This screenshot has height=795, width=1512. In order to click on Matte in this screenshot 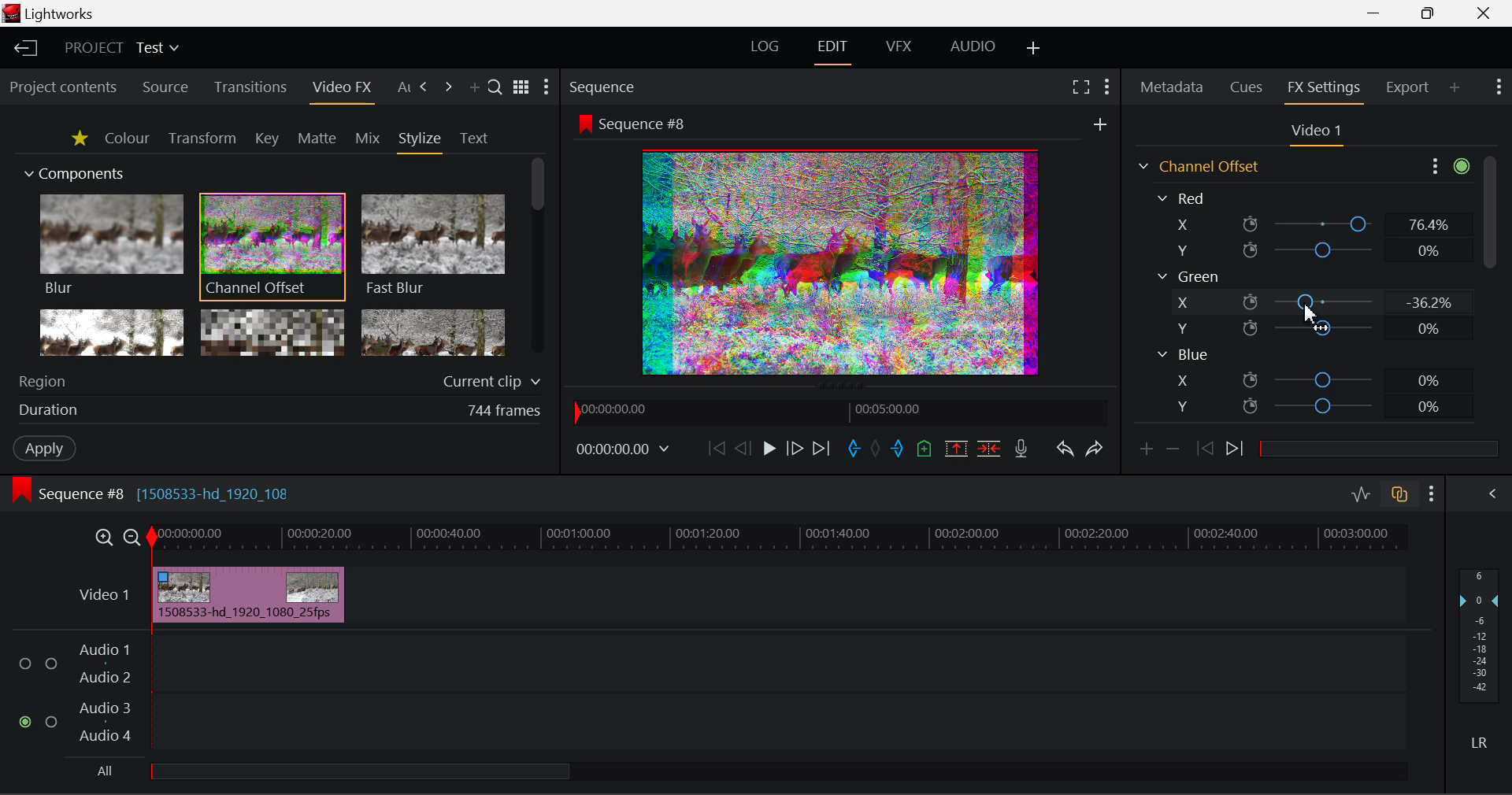, I will do `click(317, 139)`.